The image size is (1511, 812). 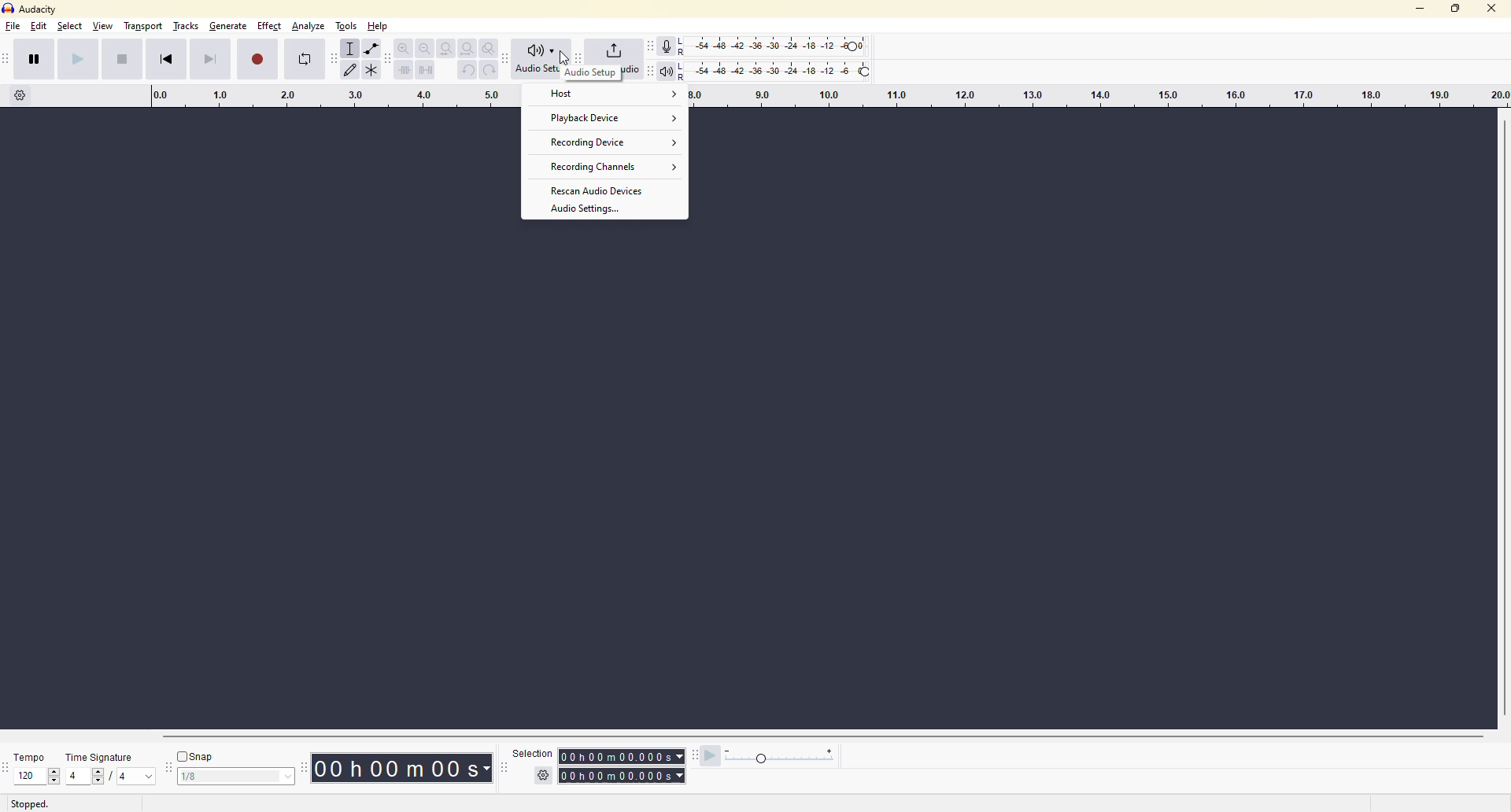 I want to click on draw tool, so click(x=349, y=69).